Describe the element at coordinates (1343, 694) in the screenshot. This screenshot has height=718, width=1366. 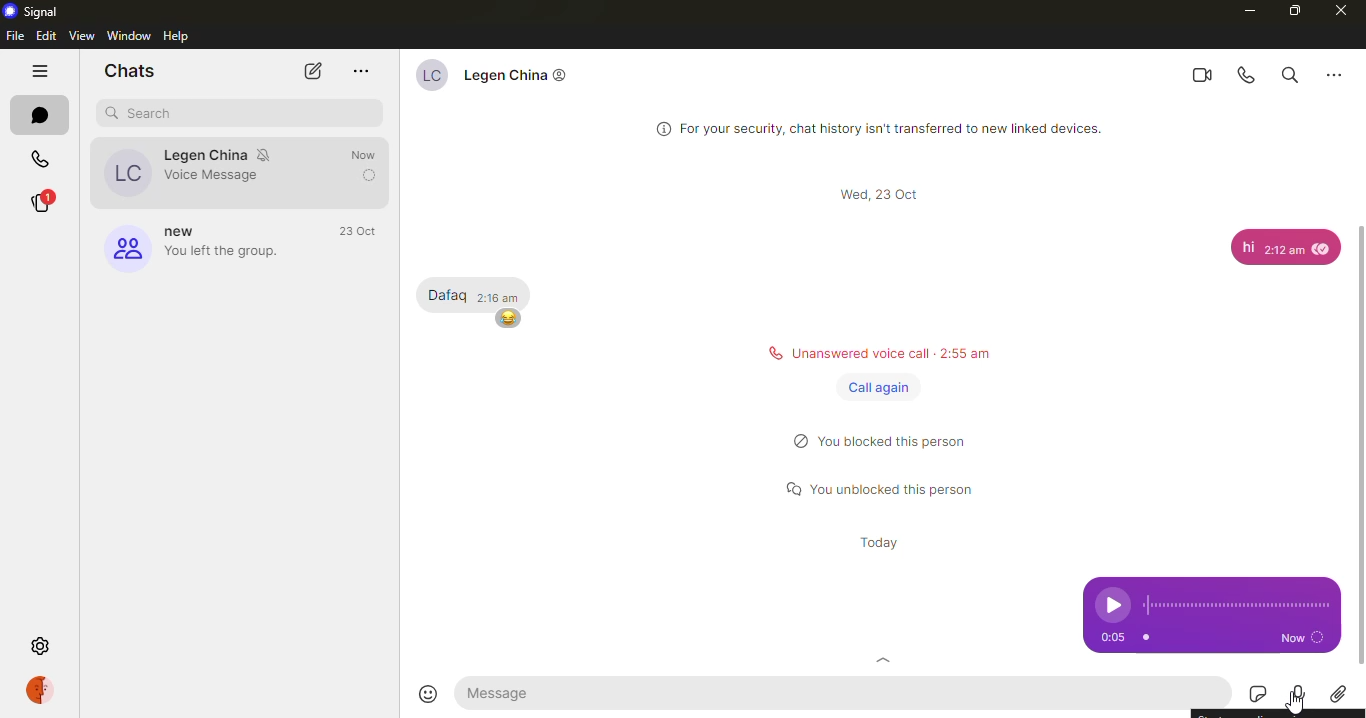
I see `attach` at that location.